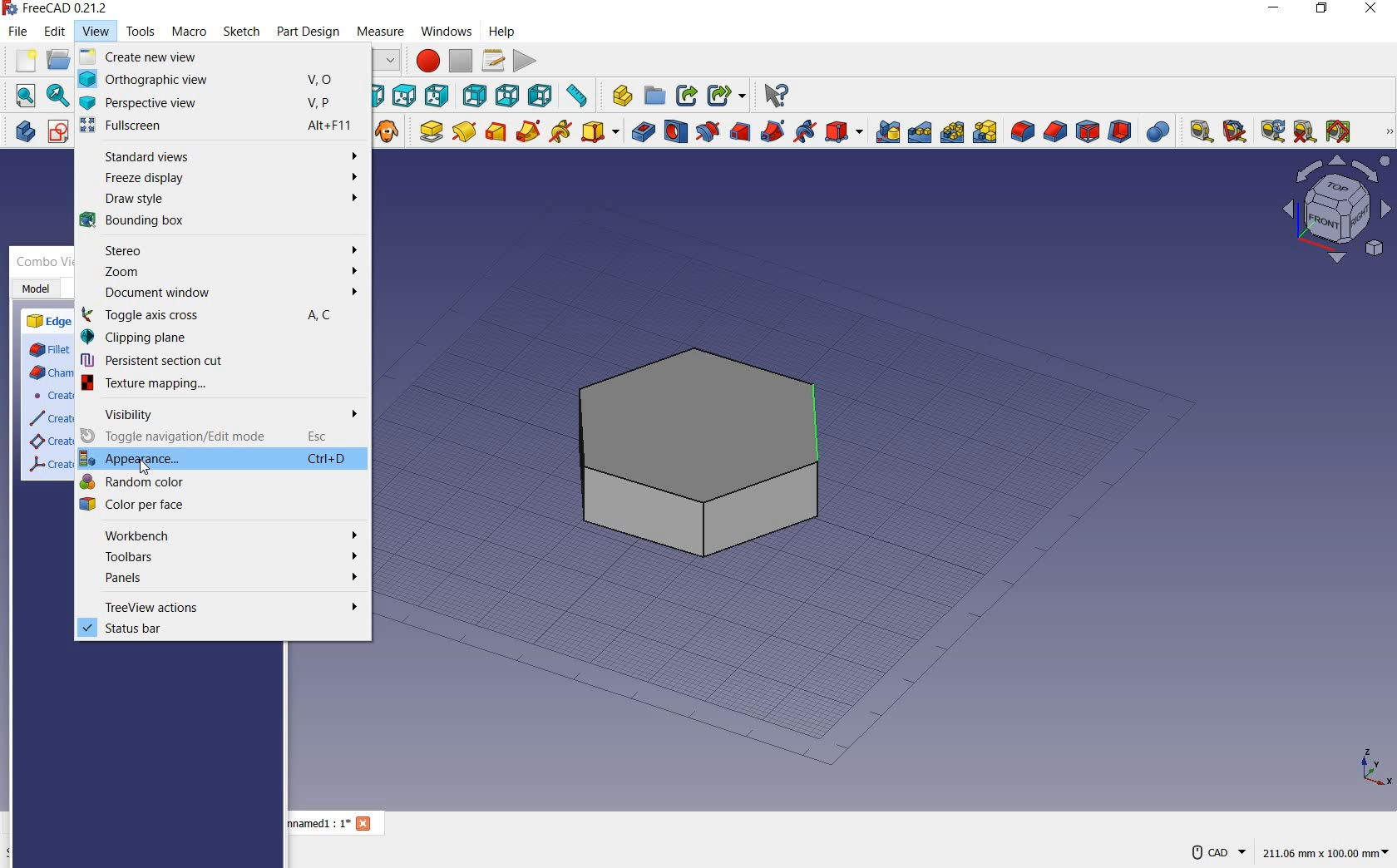 This screenshot has width=1397, height=868. Describe the element at coordinates (222, 632) in the screenshot. I see `status bar` at that location.